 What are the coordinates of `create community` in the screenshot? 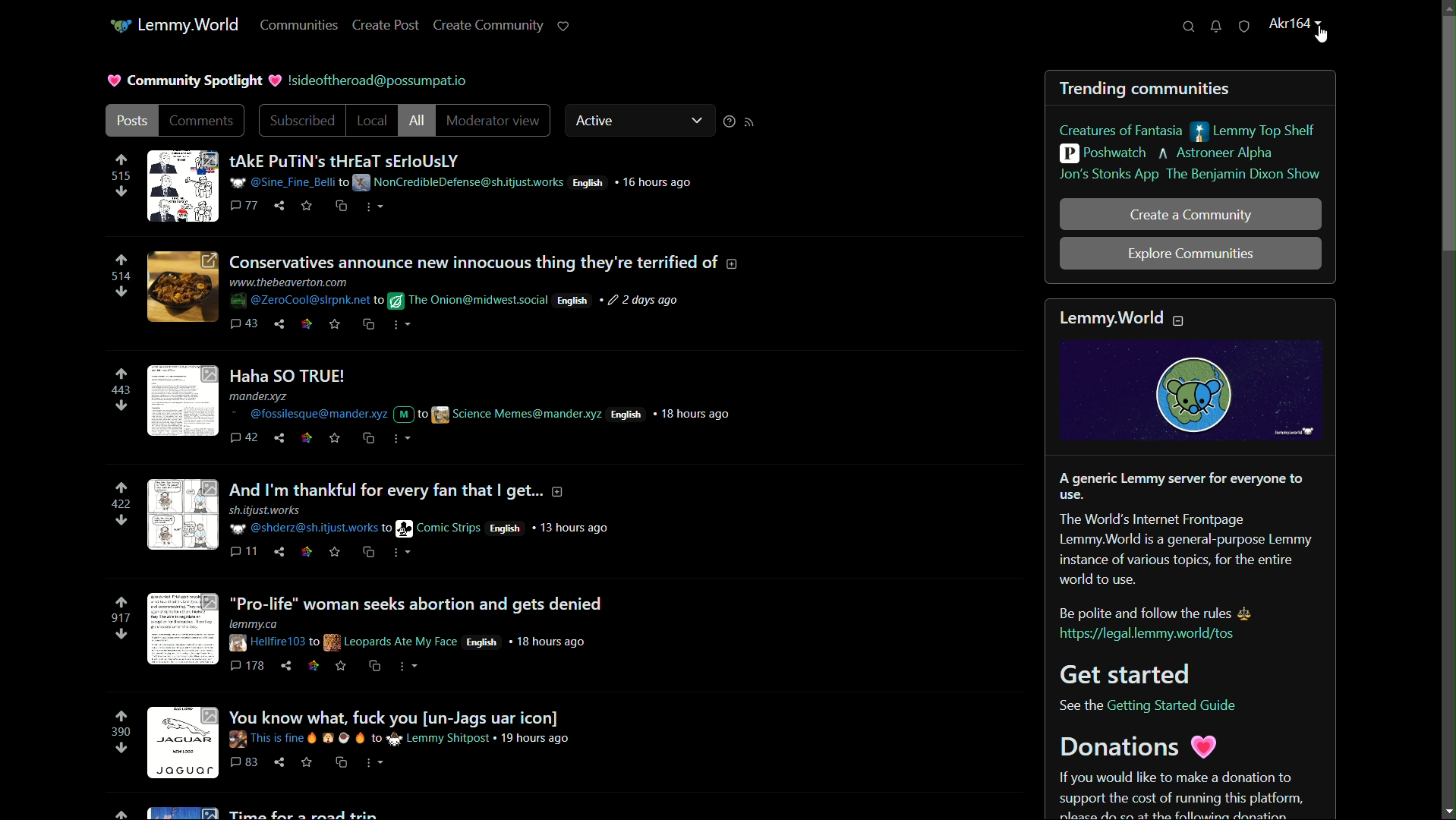 It's located at (487, 27).